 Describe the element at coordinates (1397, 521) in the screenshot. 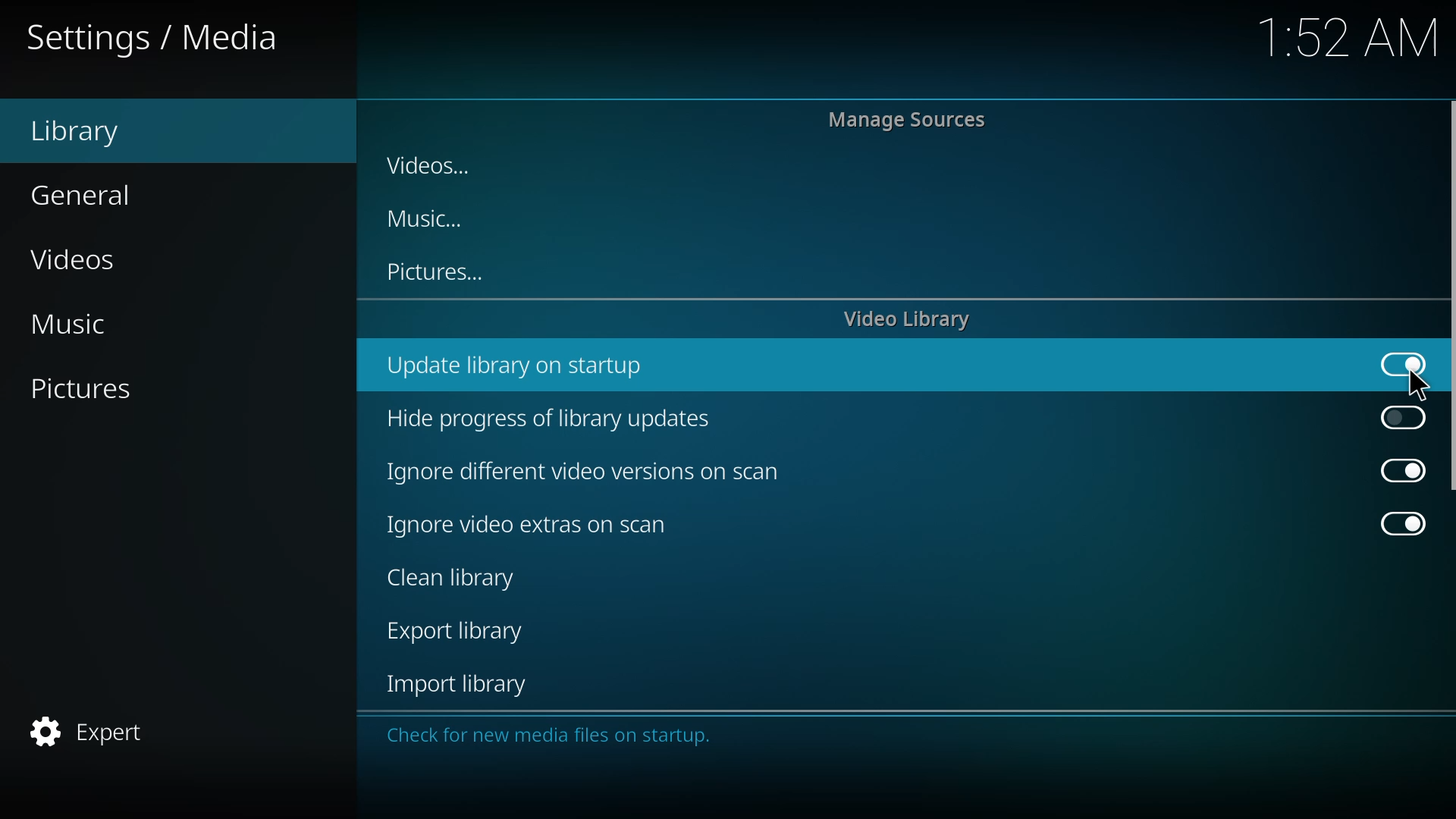

I see `enabled` at that location.